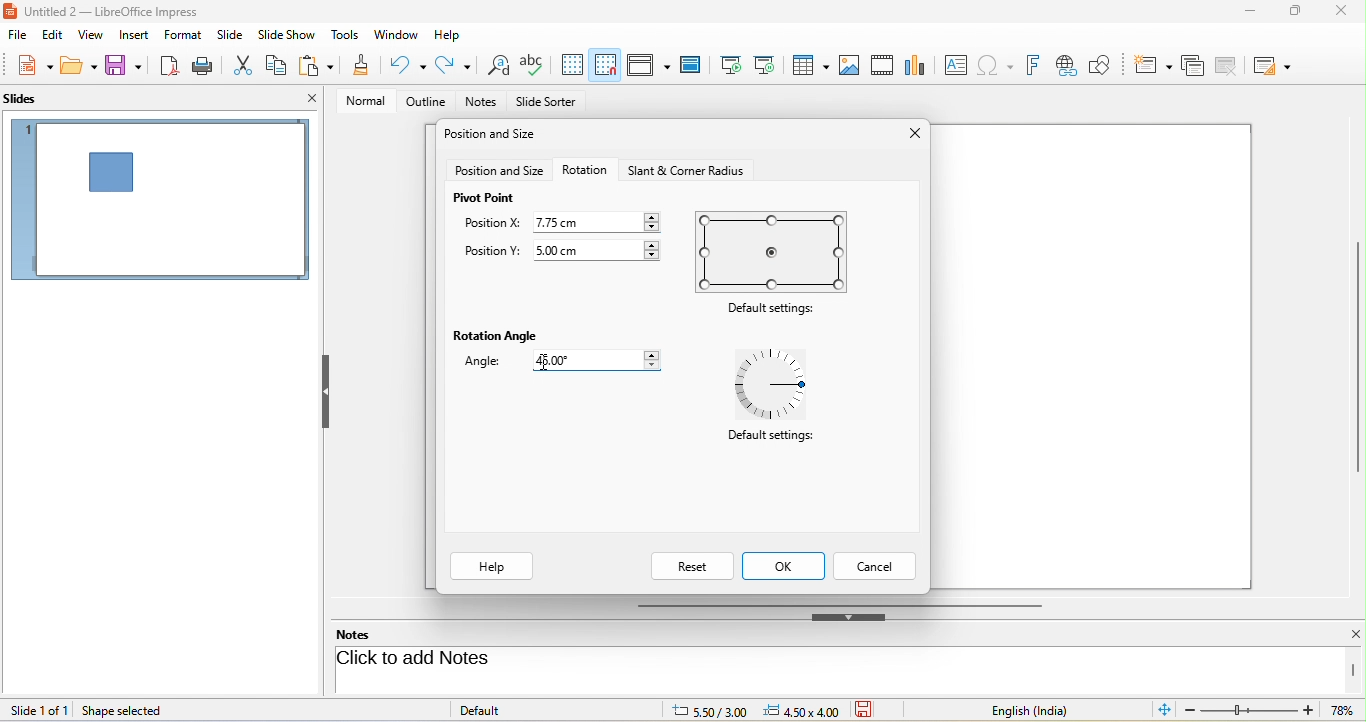 The image size is (1366, 722). I want to click on redo, so click(453, 66).